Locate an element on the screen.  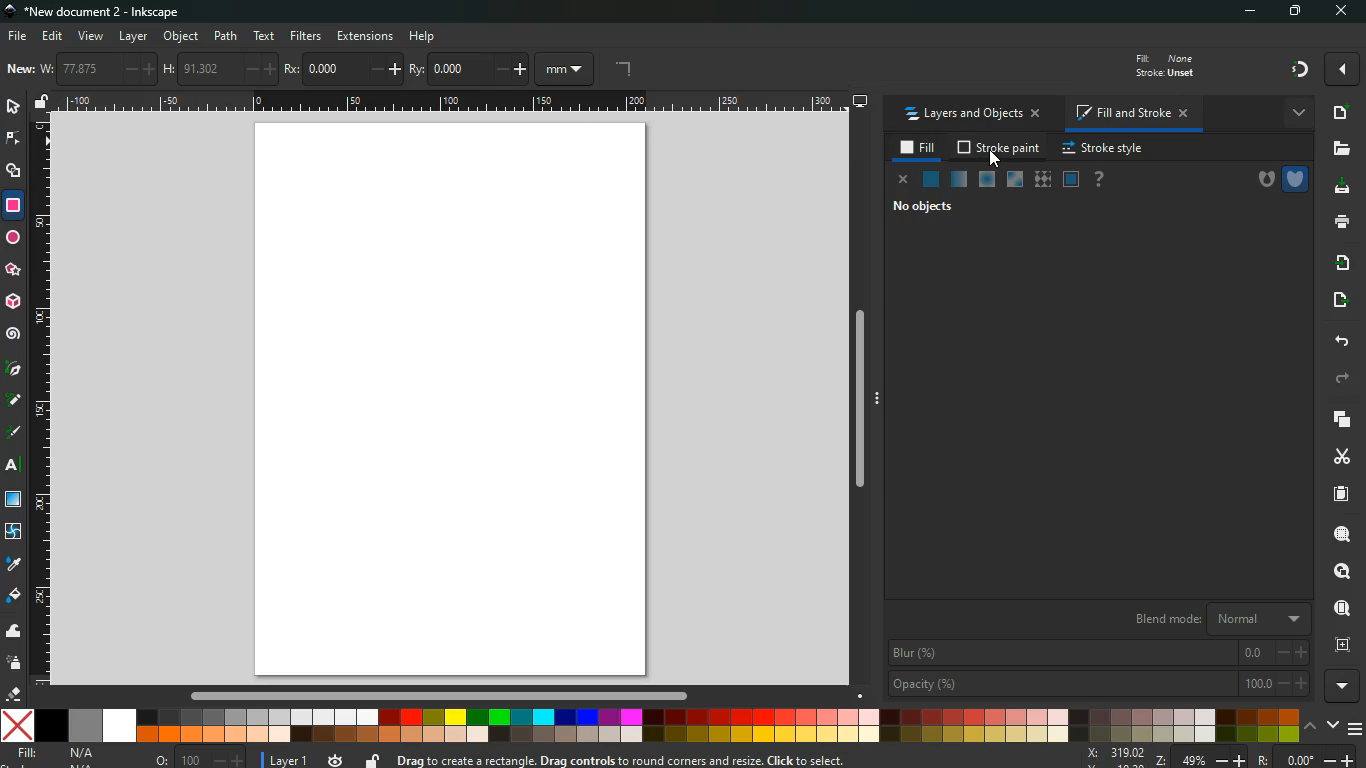
image is located at coordinates (451, 402).